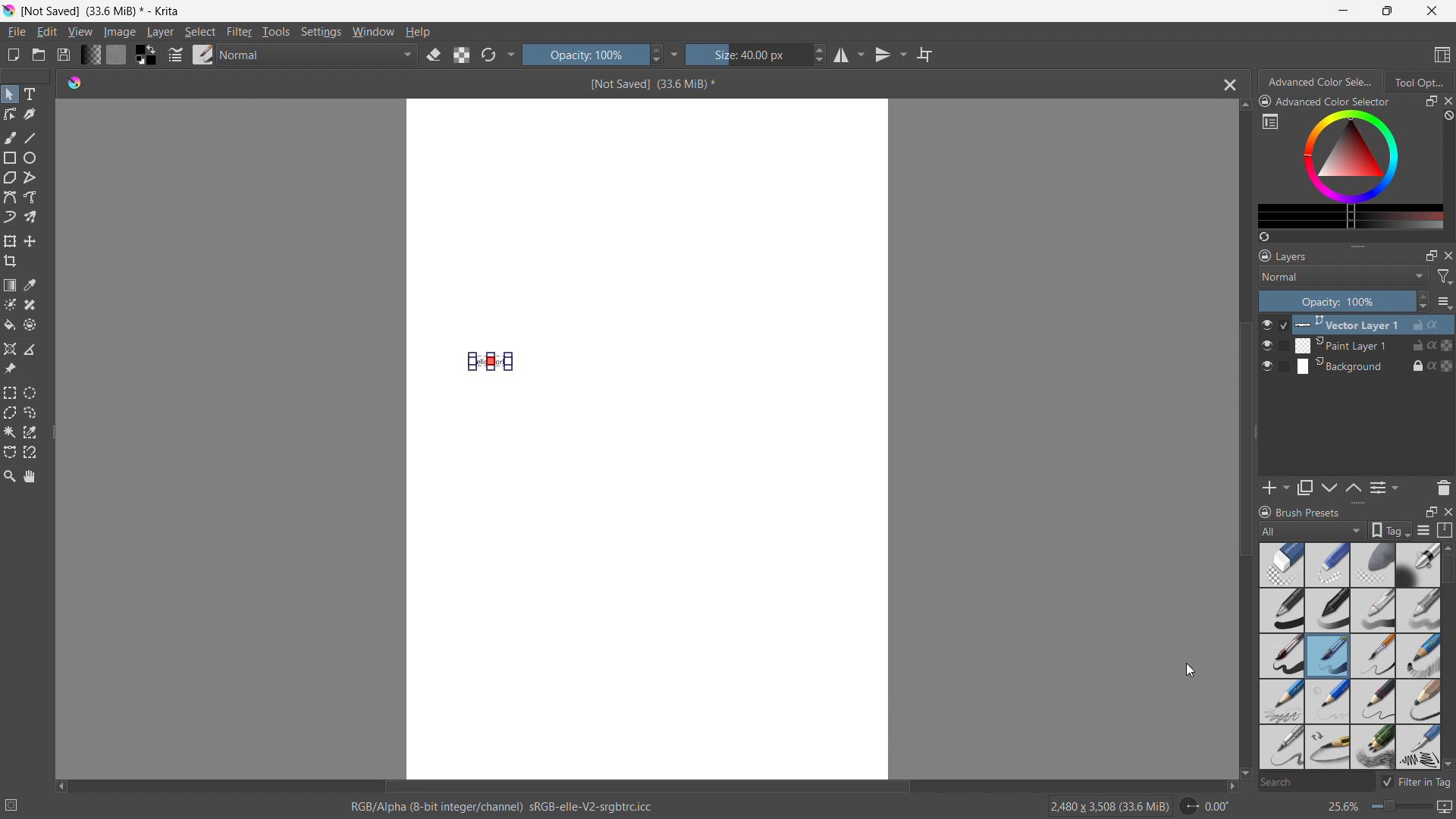  Describe the element at coordinates (1322, 82) in the screenshot. I see `advanced color selection` at that location.